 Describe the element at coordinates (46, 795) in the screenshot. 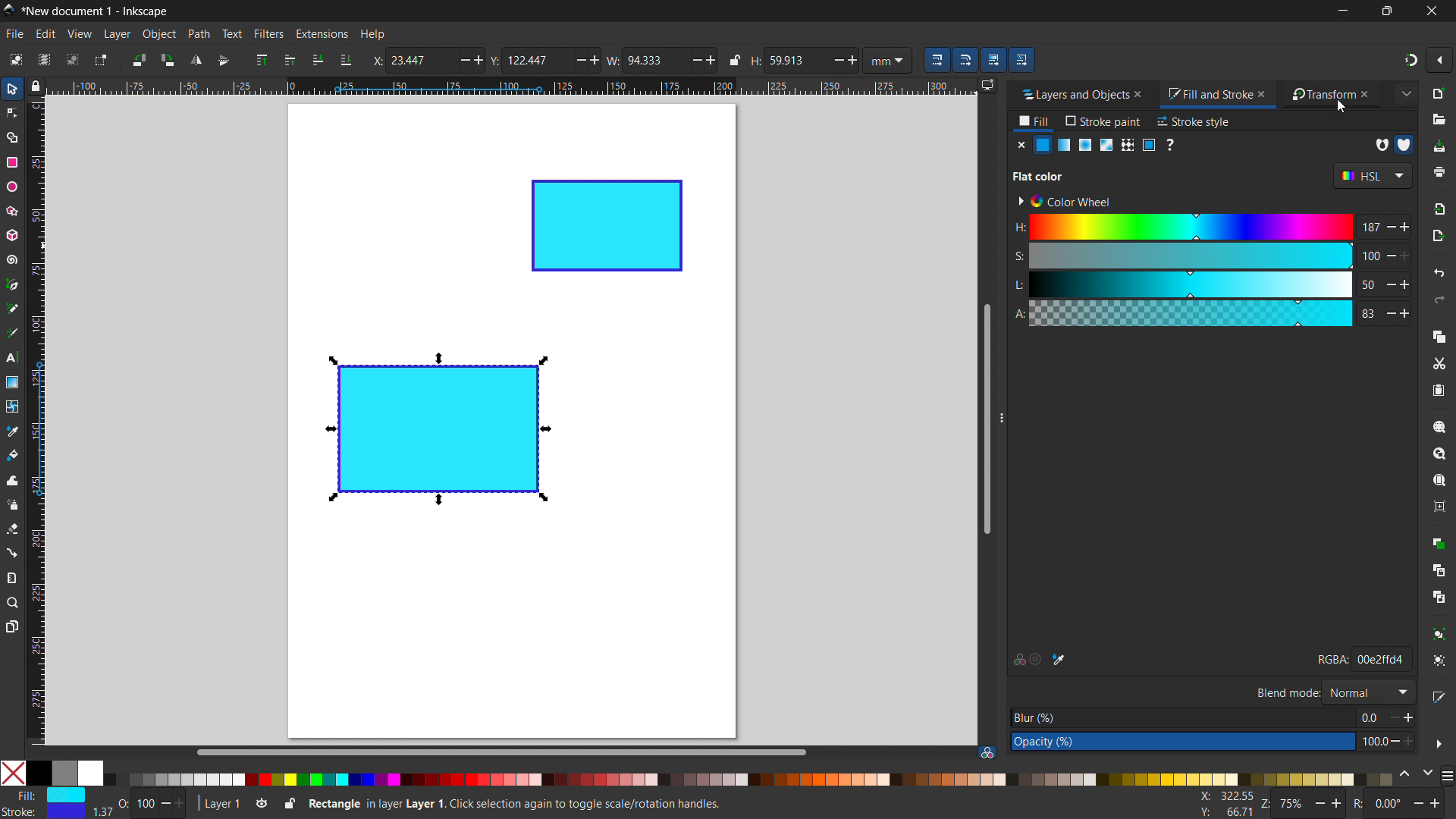

I see `Fill` at that location.